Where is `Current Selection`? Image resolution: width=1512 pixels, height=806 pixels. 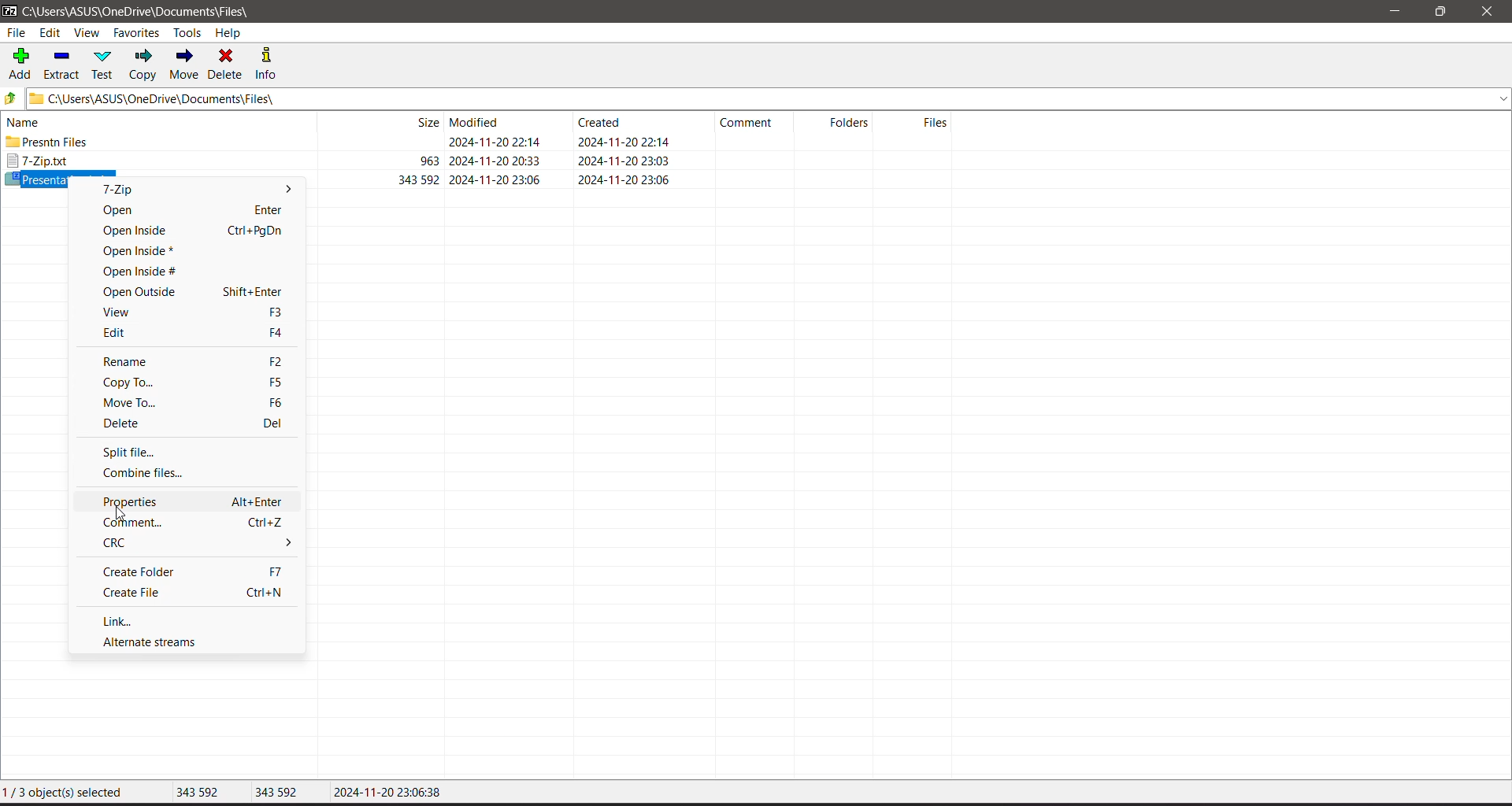 Current Selection is located at coordinates (67, 792).